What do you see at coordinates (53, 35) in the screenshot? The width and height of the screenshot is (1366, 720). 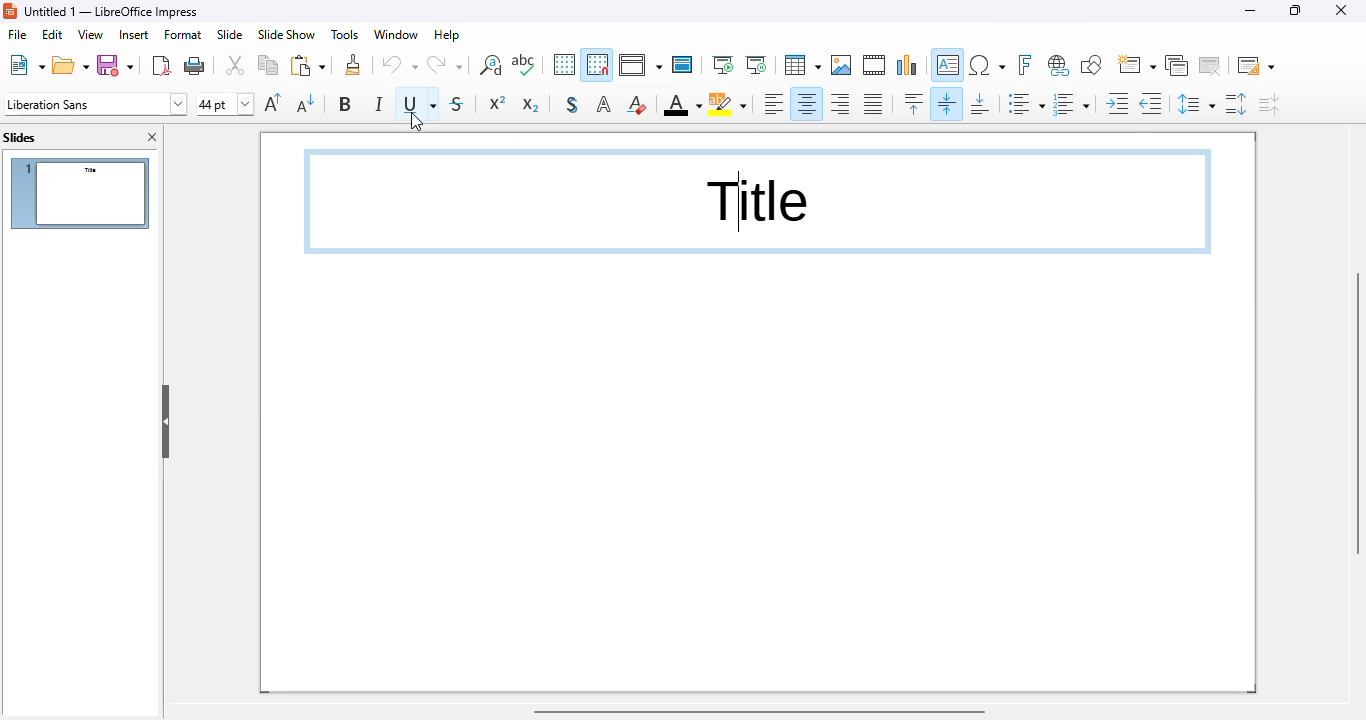 I see `edit` at bounding box center [53, 35].